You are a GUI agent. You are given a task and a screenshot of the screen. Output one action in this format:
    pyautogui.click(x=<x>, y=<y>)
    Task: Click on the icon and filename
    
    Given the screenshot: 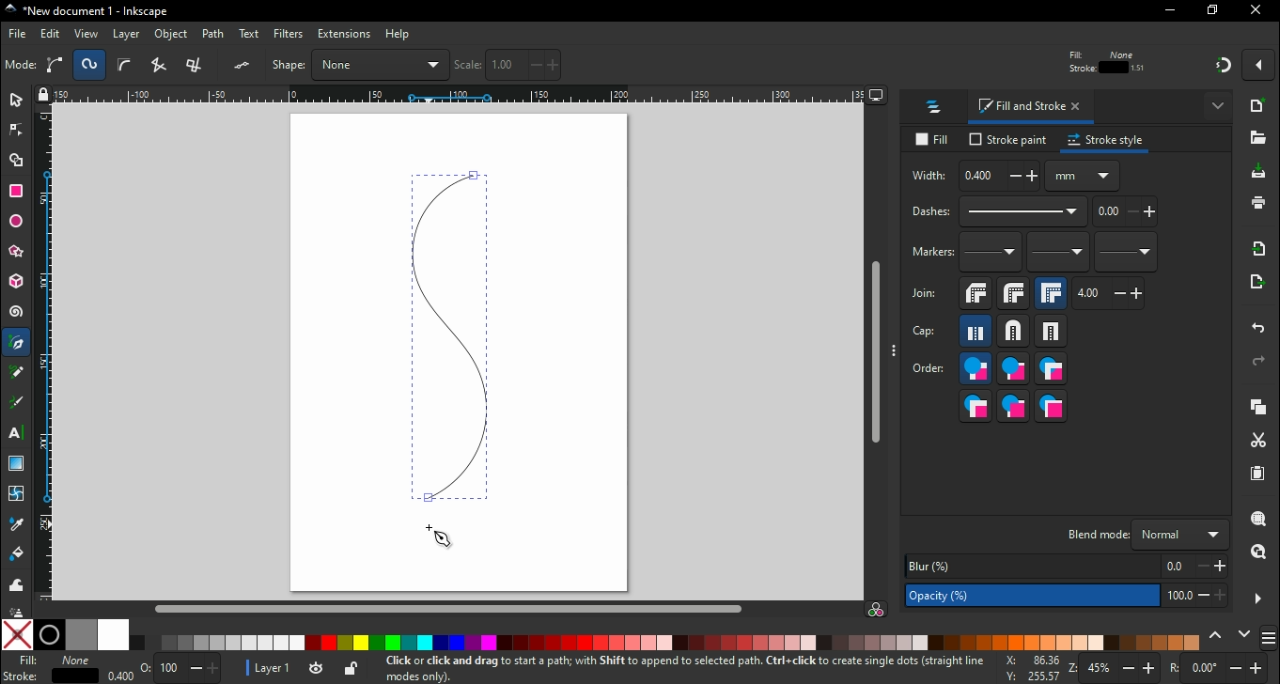 What is the action you would take?
    pyautogui.click(x=84, y=12)
    